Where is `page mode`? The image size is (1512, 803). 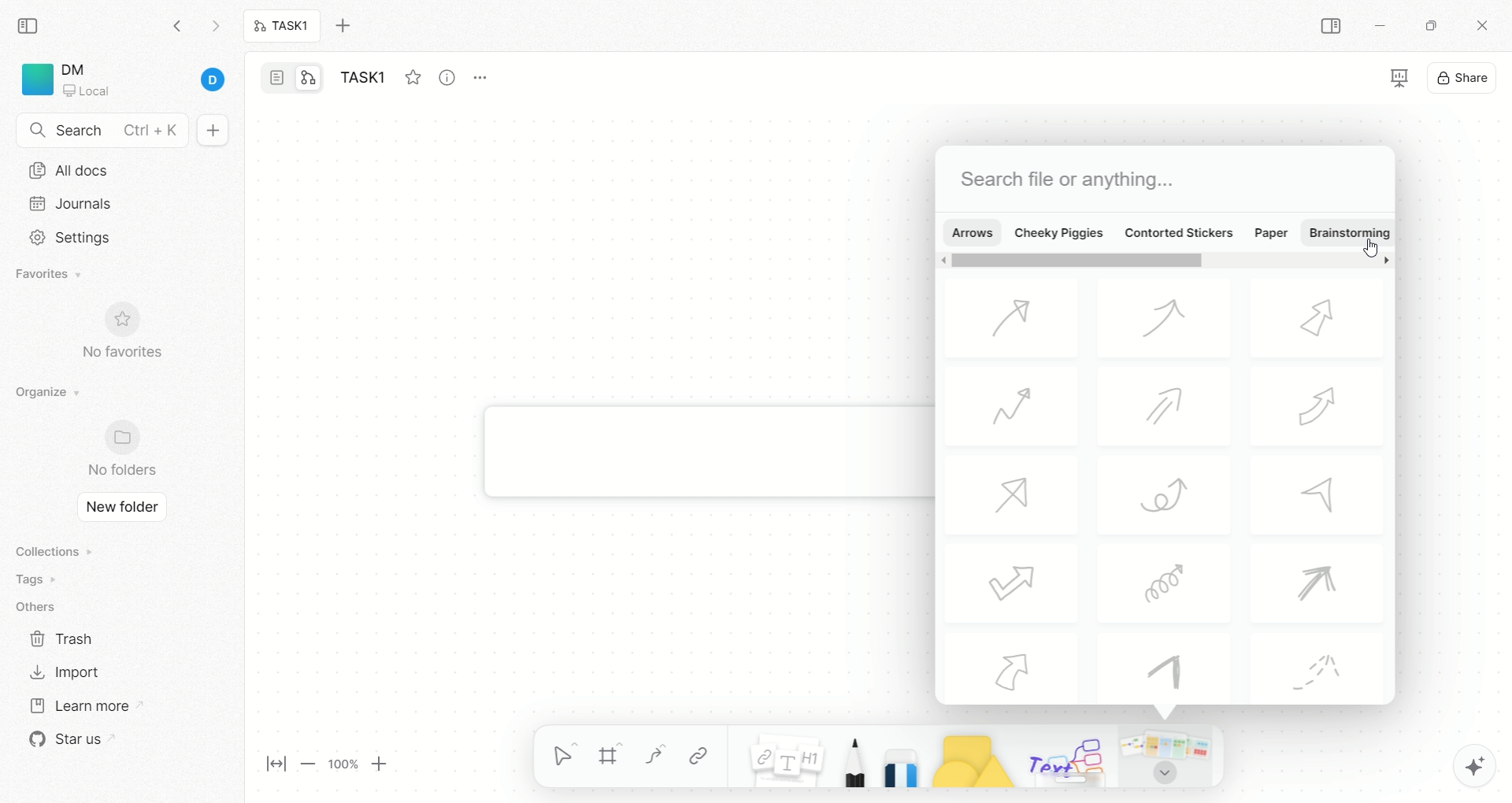
page mode is located at coordinates (278, 80).